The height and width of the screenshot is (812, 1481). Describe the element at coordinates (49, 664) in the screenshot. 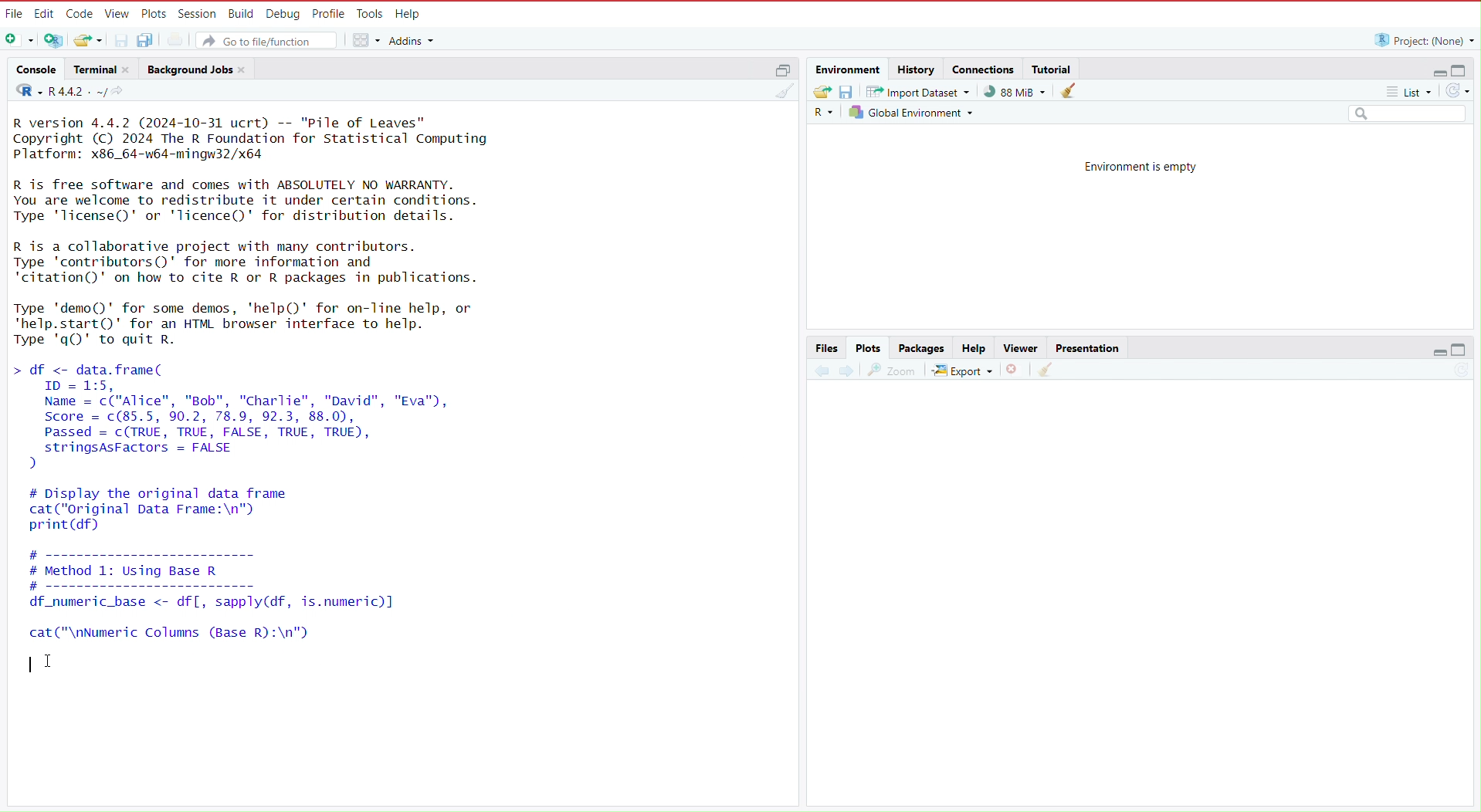

I see `cursor` at that location.